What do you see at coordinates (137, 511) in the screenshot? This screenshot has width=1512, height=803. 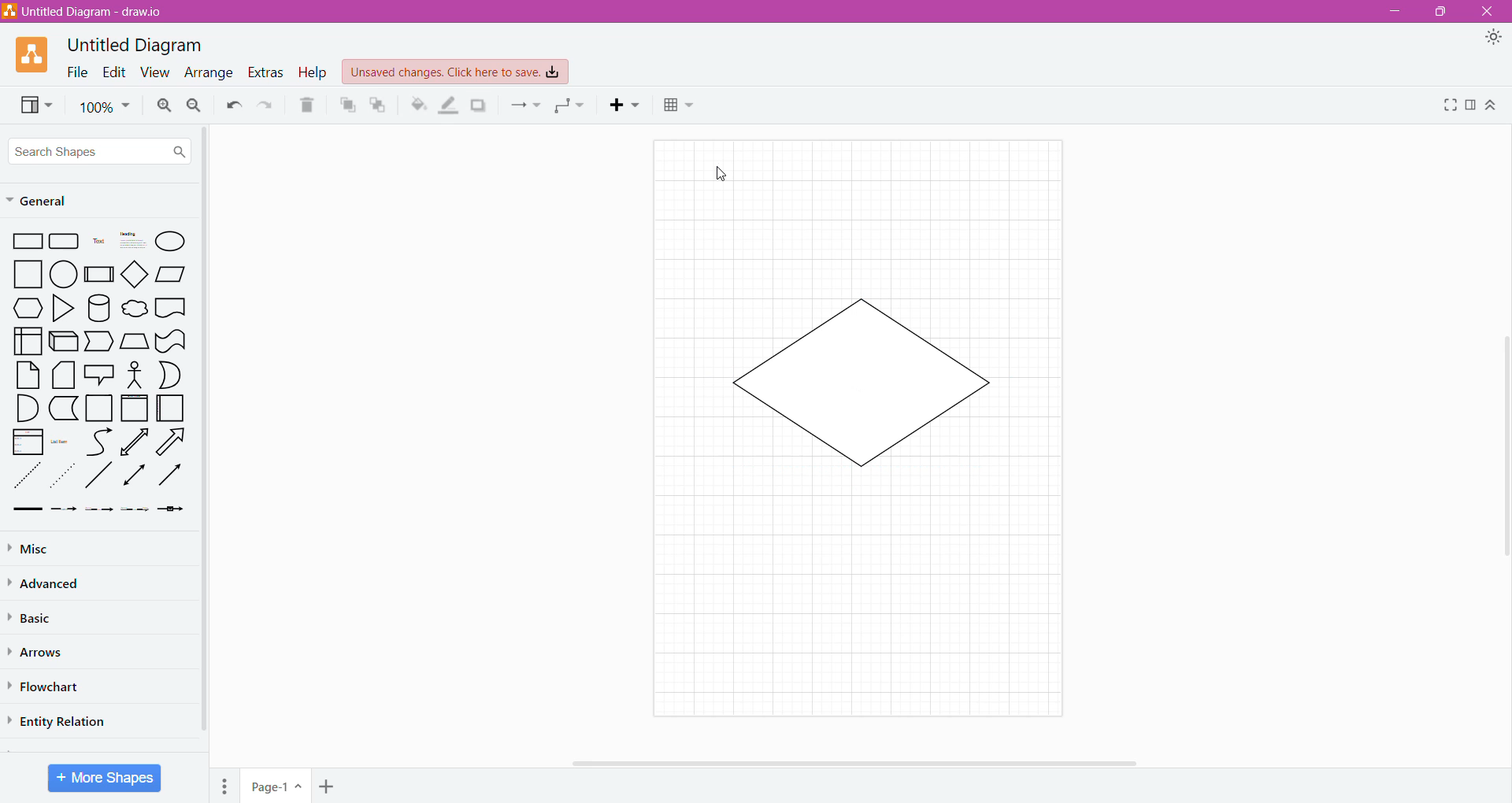 I see `Connector with 3 Labels` at bounding box center [137, 511].